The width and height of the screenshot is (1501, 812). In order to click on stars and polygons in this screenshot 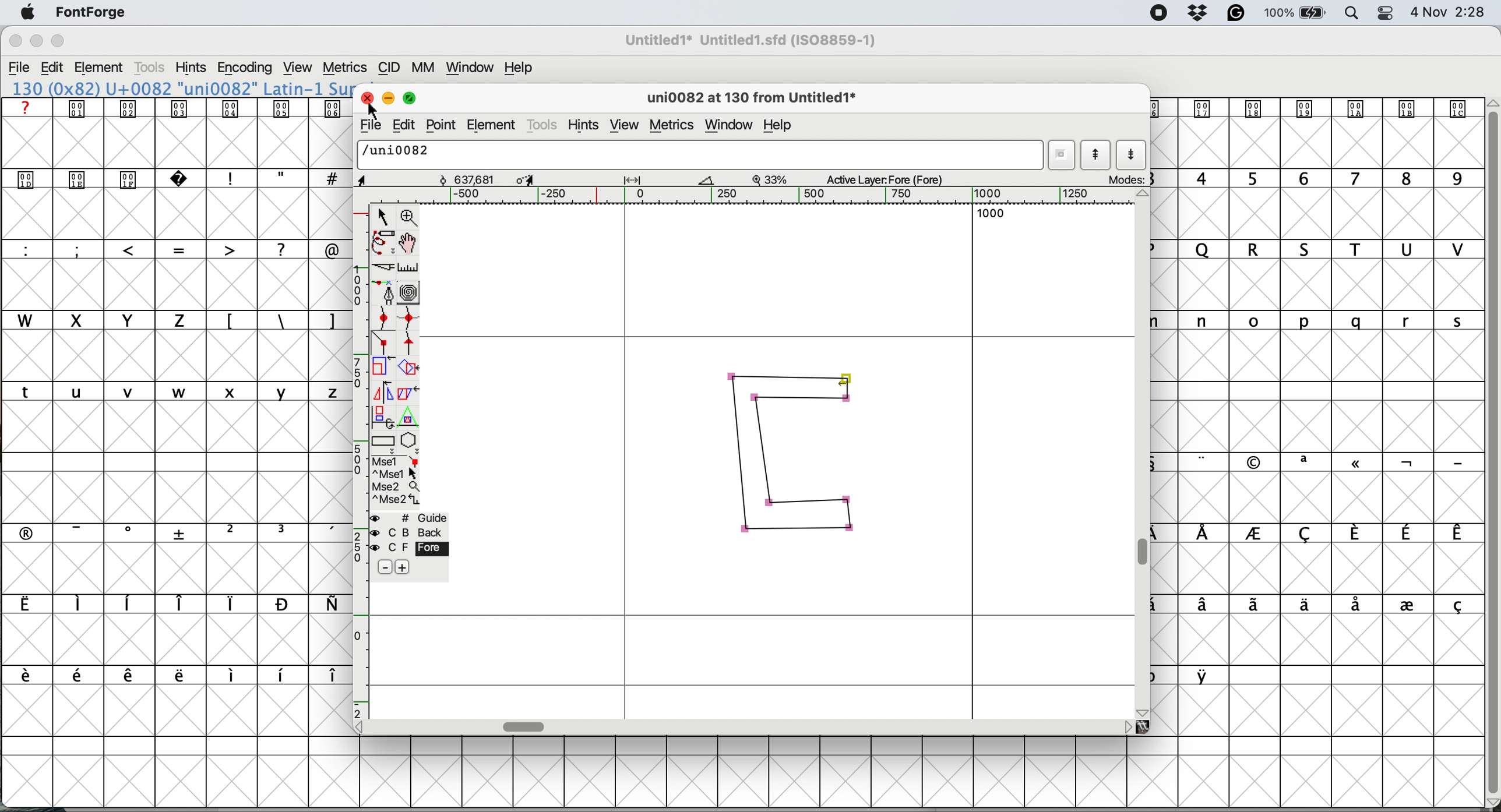, I will do `click(410, 443)`.